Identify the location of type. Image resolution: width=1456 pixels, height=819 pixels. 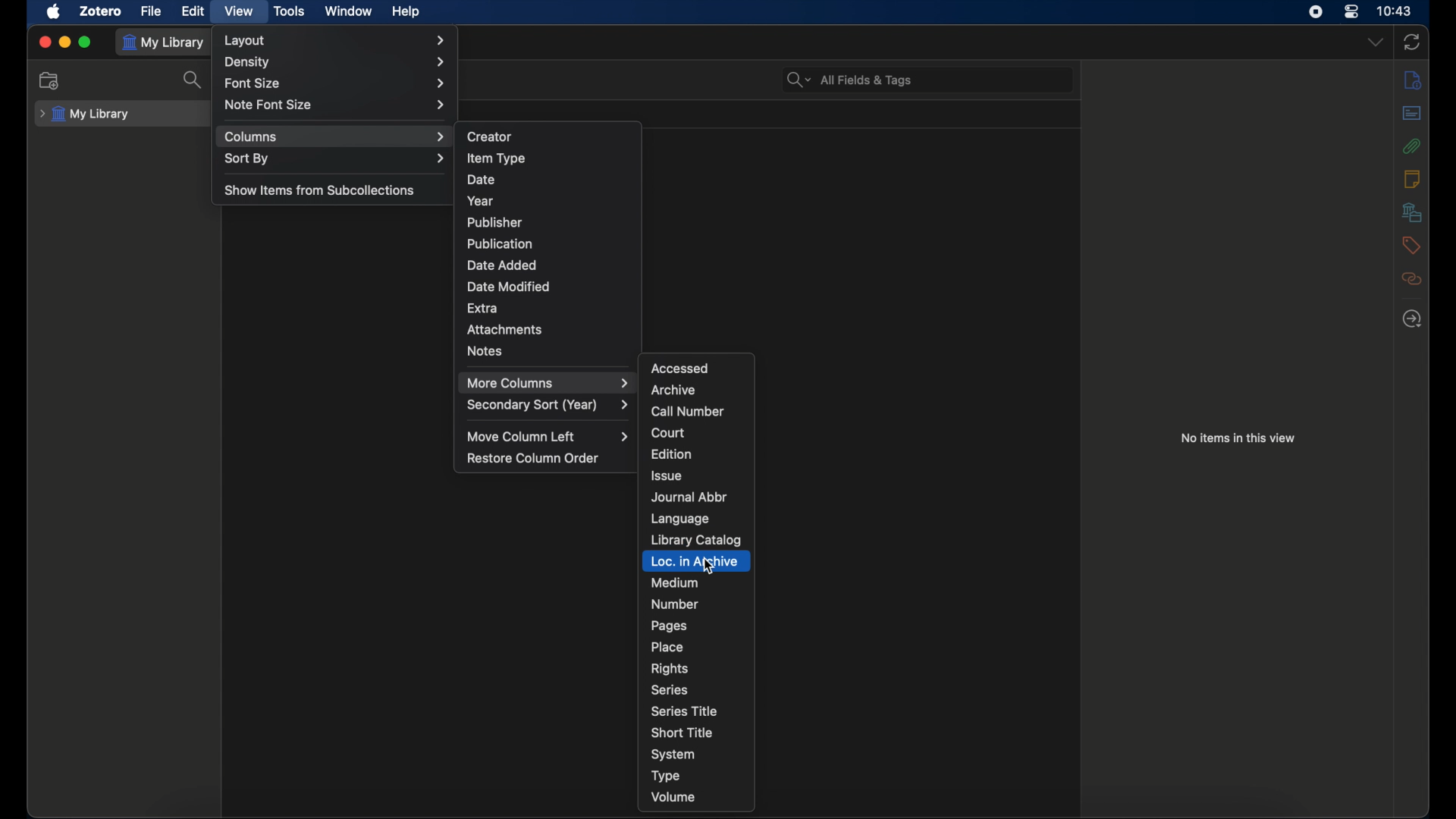
(665, 775).